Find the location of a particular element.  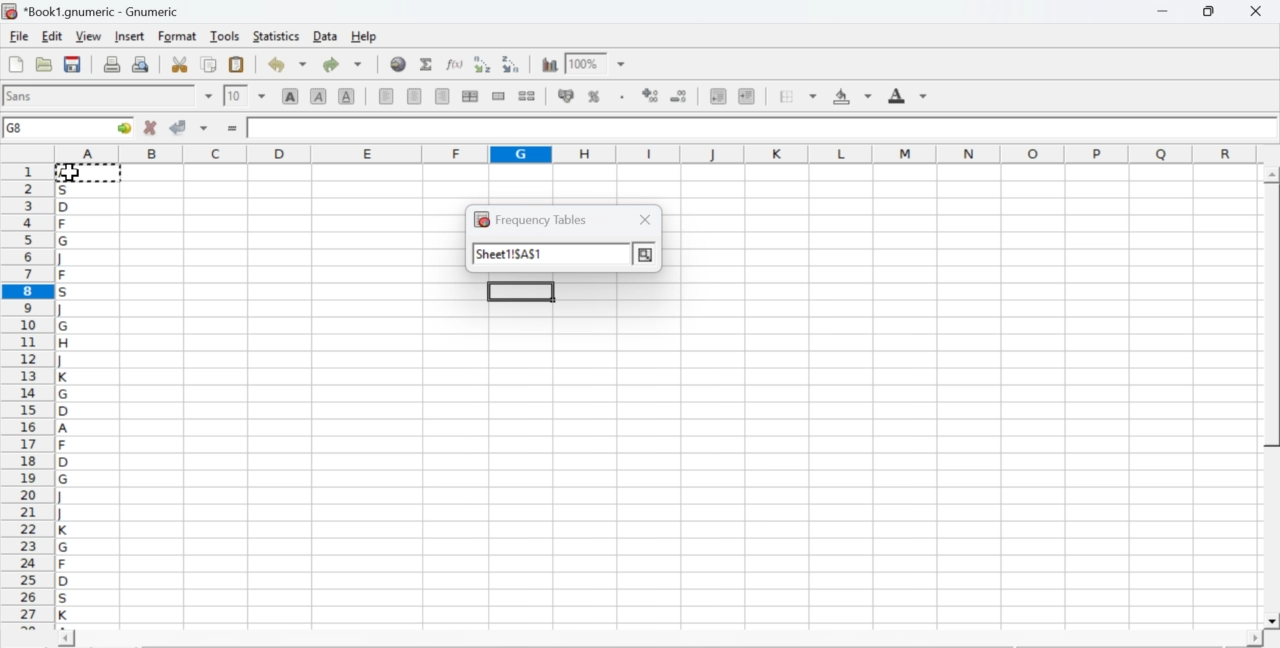

paste is located at coordinates (238, 65).